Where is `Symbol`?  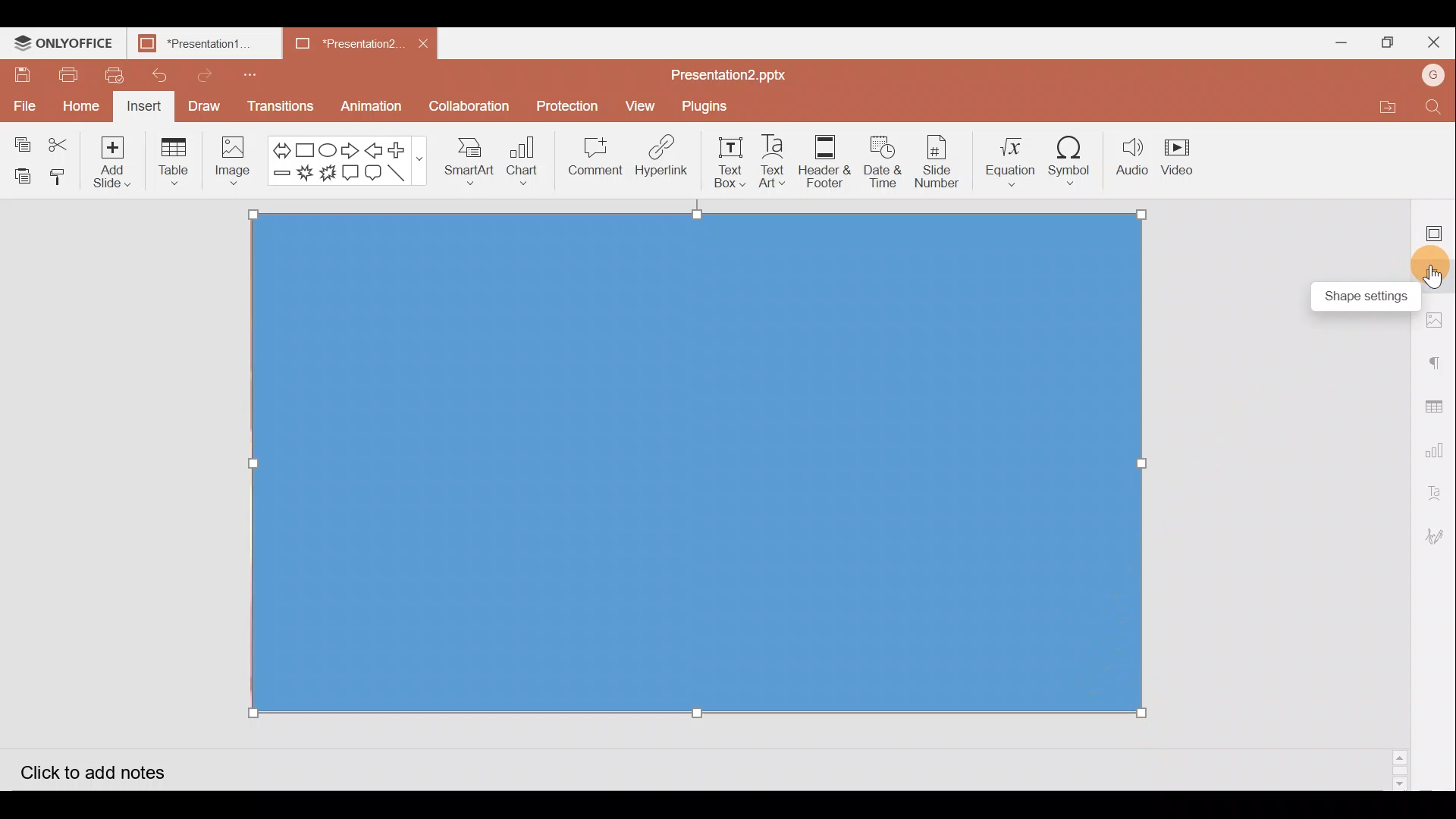
Symbol is located at coordinates (1075, 160).